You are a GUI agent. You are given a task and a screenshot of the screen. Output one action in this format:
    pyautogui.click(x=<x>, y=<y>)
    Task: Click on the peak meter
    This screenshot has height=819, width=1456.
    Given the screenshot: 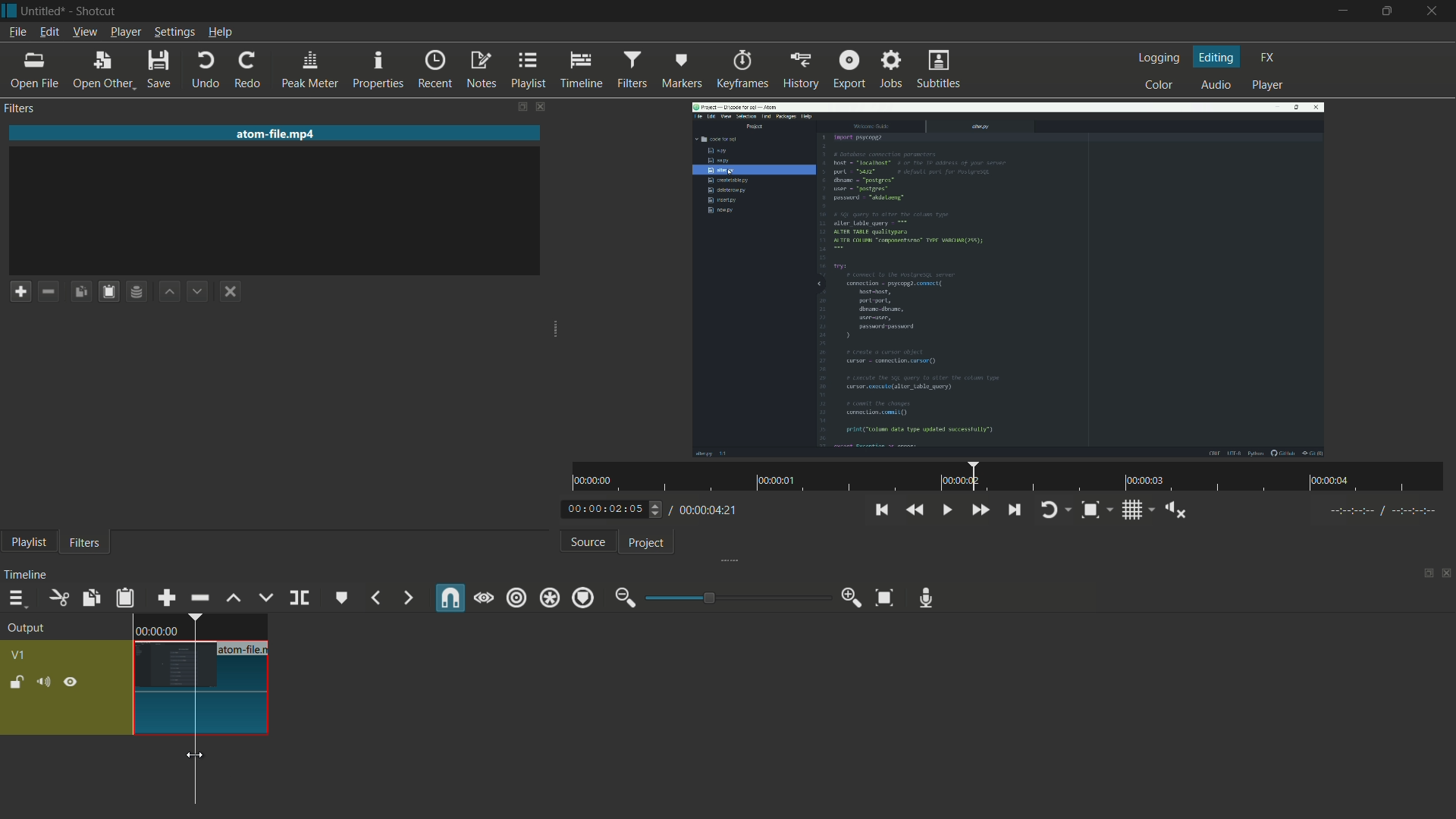 What is the action you would take?
    pyautogui.click(x=310, y=71)
    